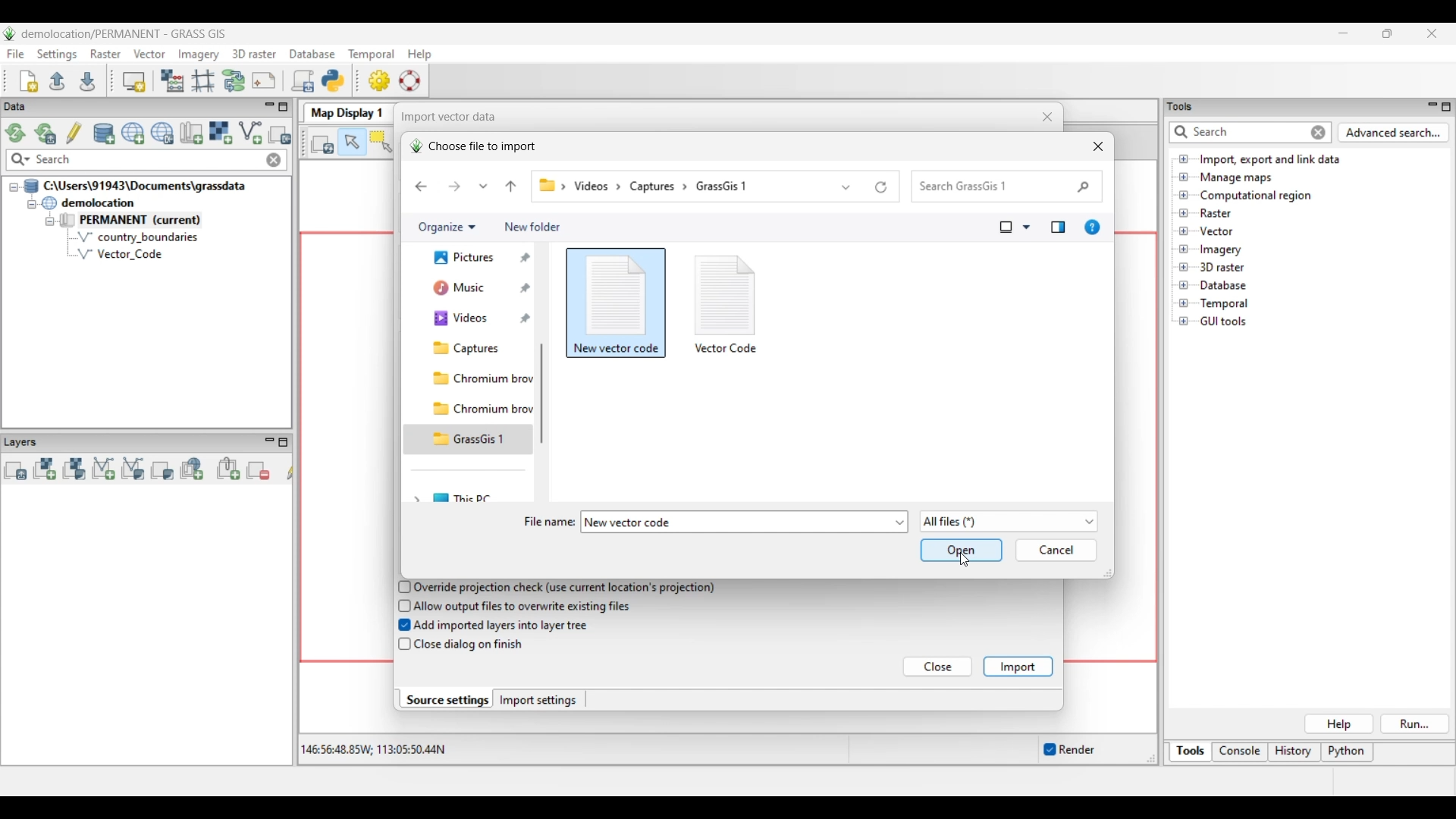 This screenshot has width=1456, height=819. What do you see at coordinates (1184, 322) in the screenshot?
I see `Click to open GUI tools` at bounding box center [1184, 322].